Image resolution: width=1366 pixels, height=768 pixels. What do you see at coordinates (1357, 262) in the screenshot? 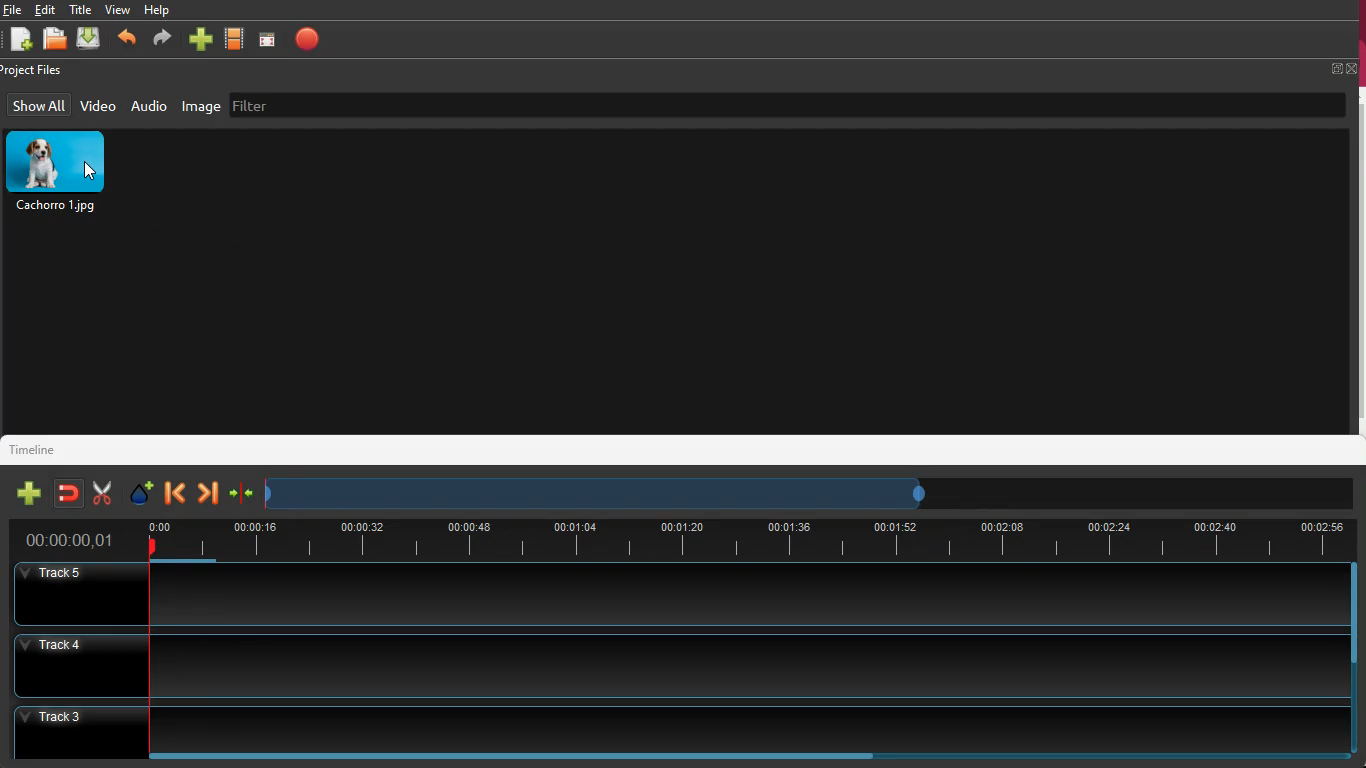
I see `vertical scroll bar` at bounding box center [1357, 262].